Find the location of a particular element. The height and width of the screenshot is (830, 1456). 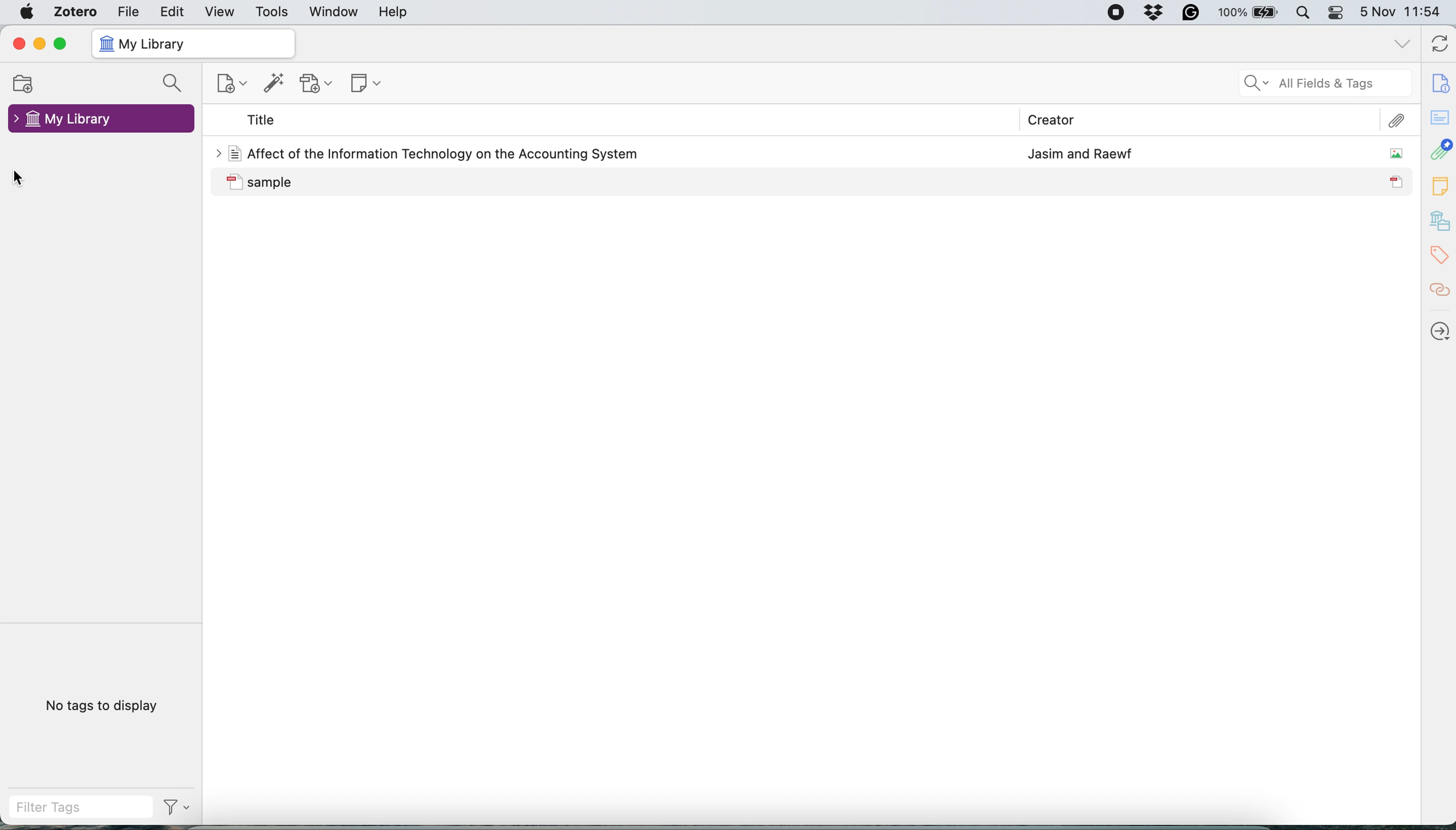

list all tabs is located at coordinates (1405, 46).